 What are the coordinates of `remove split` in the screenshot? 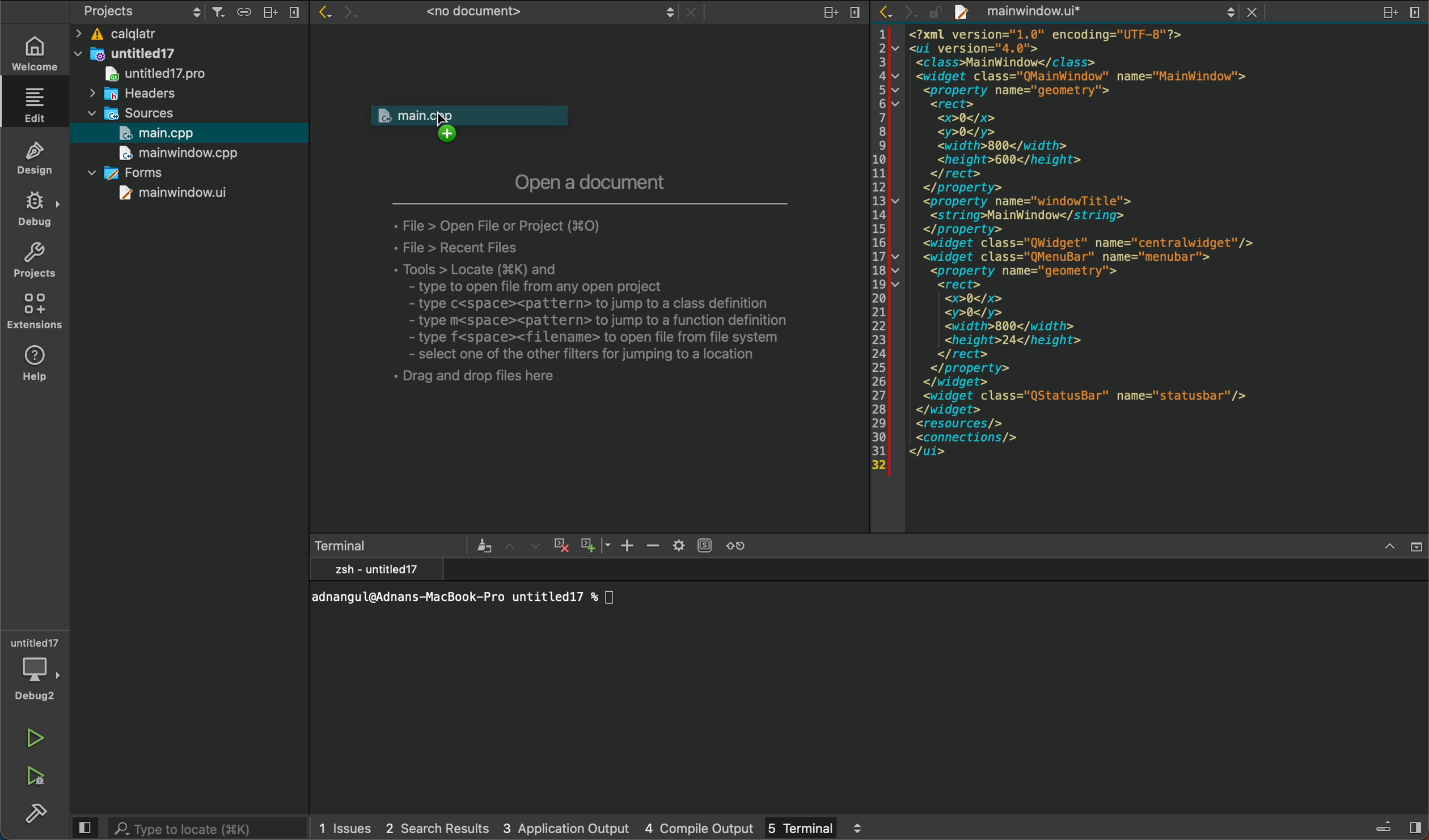 It's located at (857, 15).